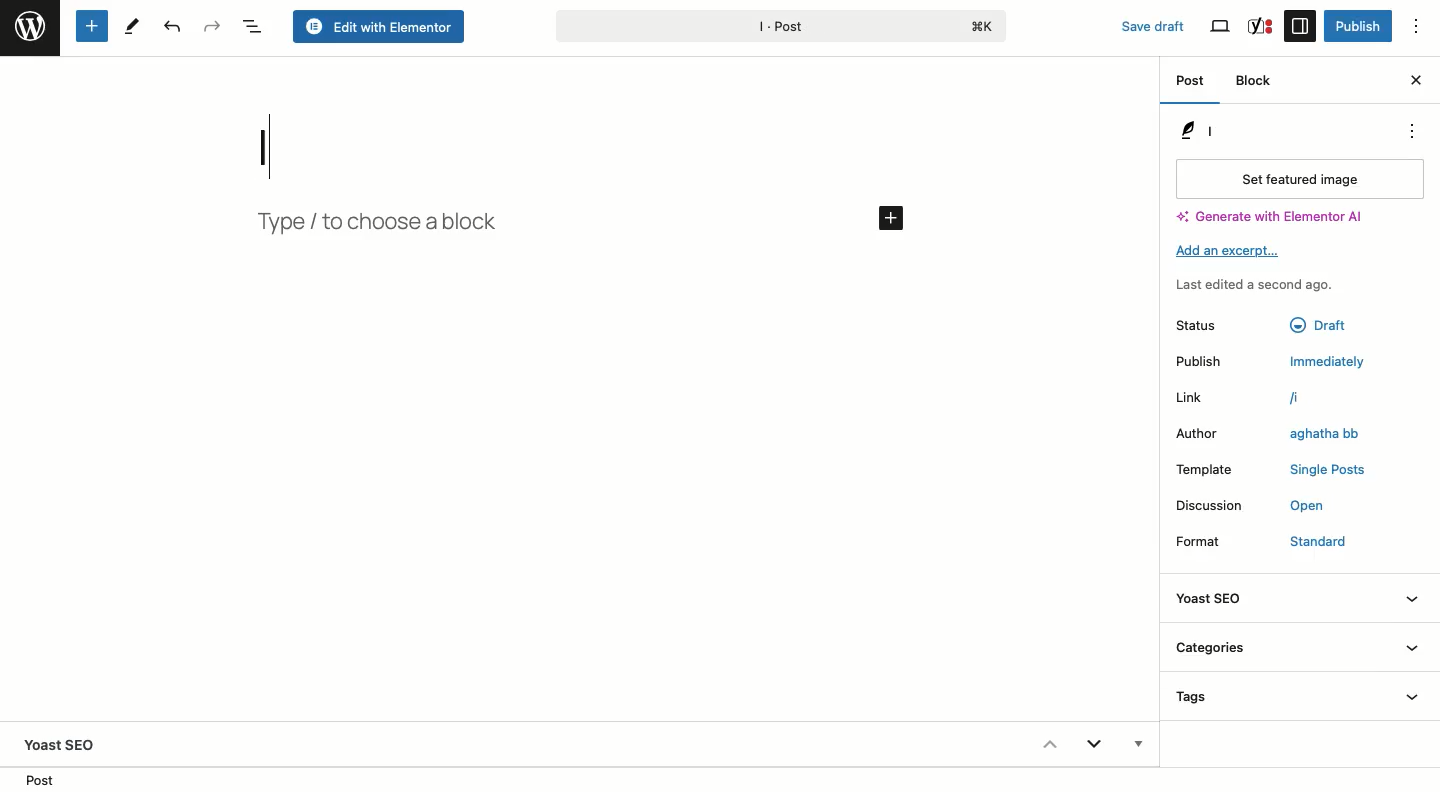  What do you see at coordinates (1255, 285) in the screenshot?
I see `Last edited a second ago` at bounding box center [1255, 285].